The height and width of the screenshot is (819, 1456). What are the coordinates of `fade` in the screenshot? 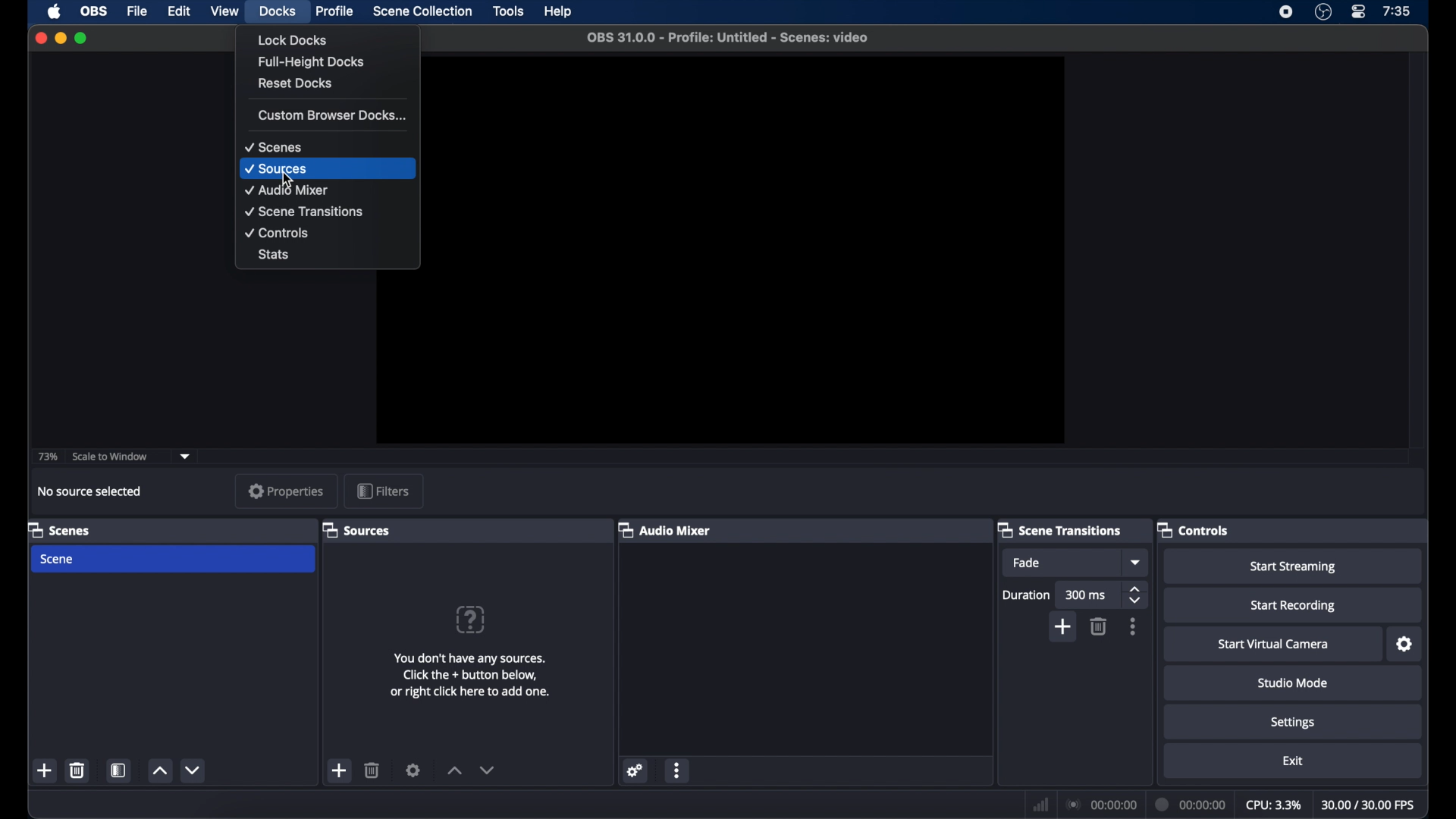 It's located at (1061, 563).